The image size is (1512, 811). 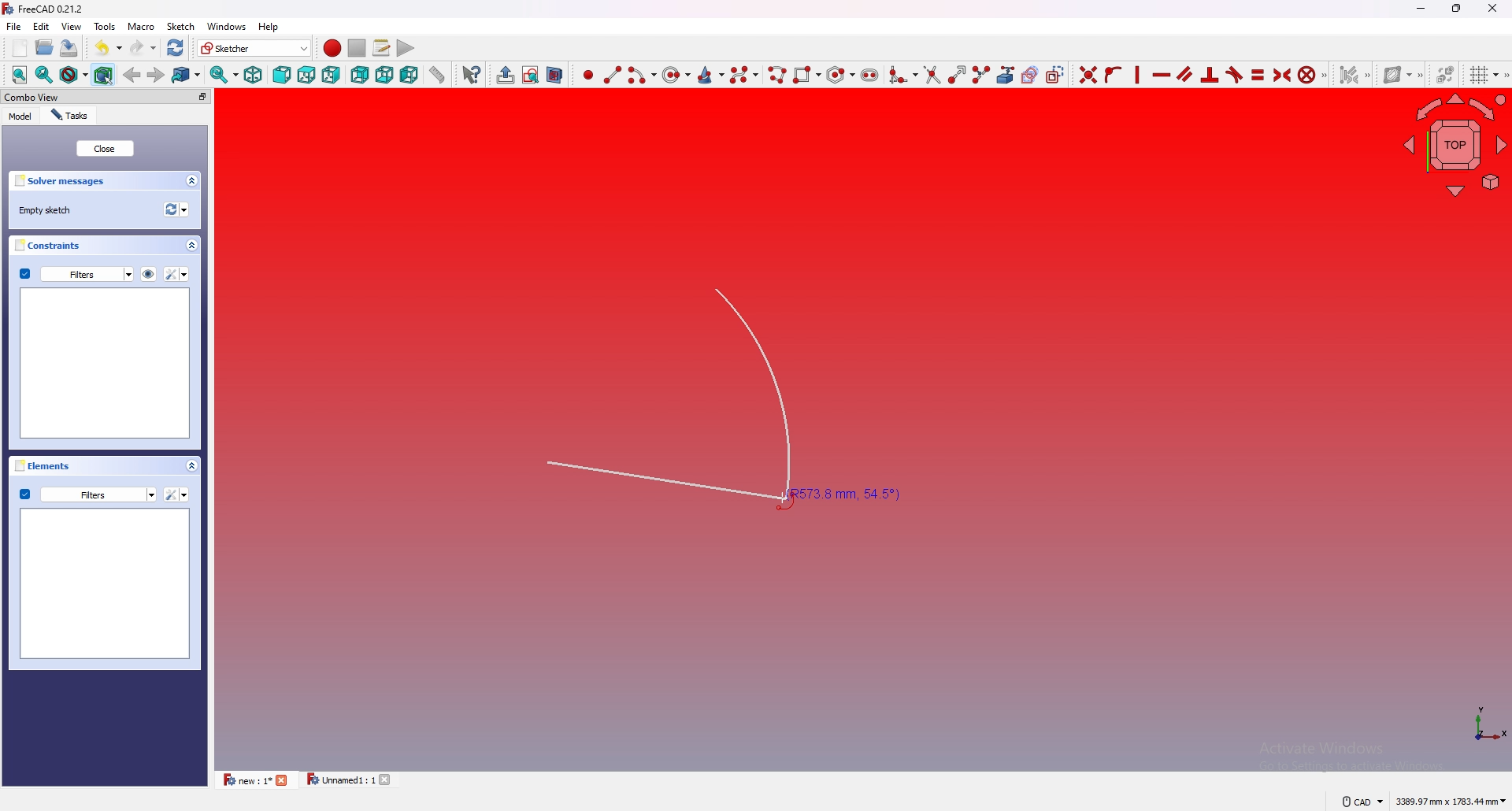 I want to click on settings, so click(x=176, y=494).